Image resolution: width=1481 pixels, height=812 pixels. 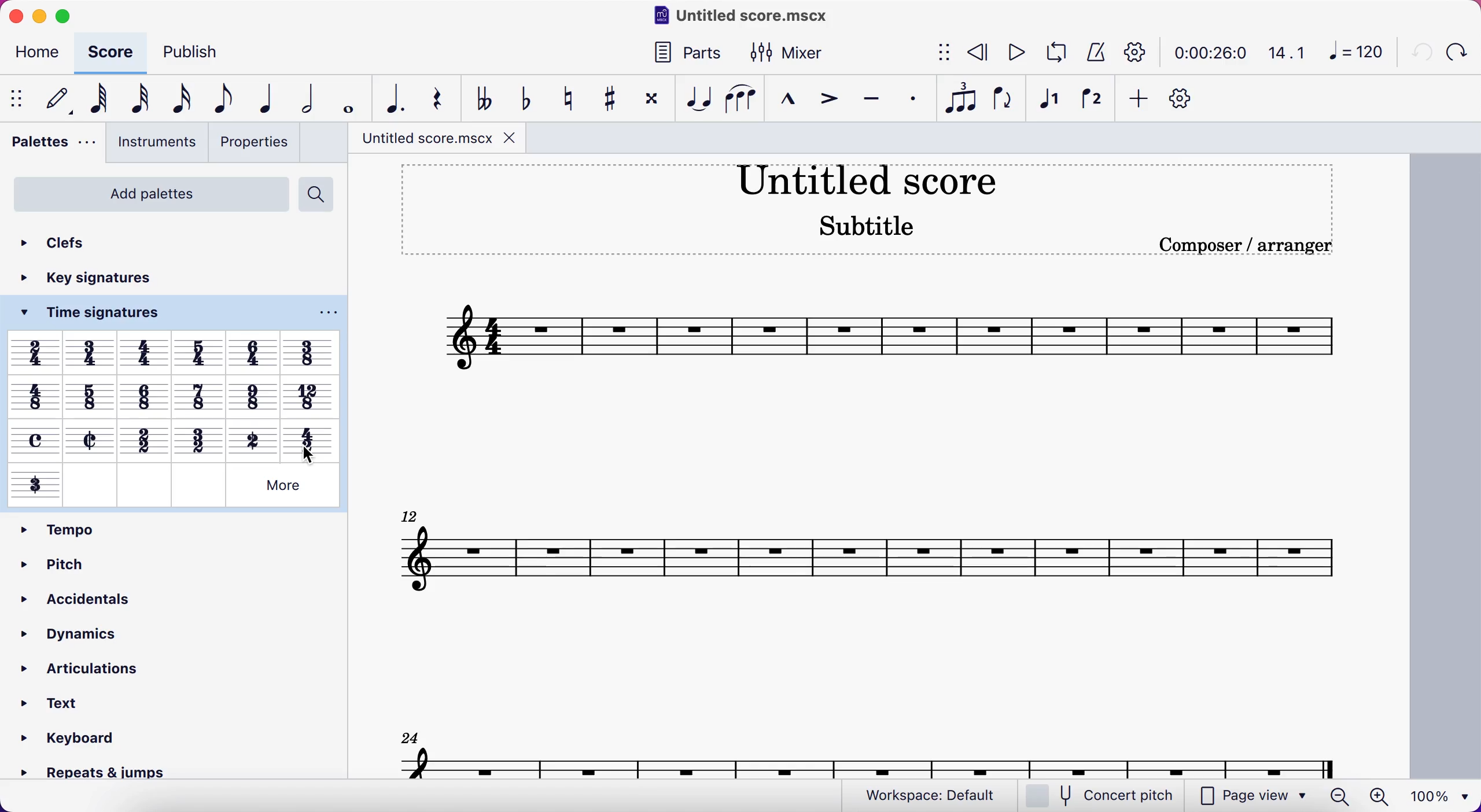 I want to click on toggle sharp, so click(x=607, y=97).